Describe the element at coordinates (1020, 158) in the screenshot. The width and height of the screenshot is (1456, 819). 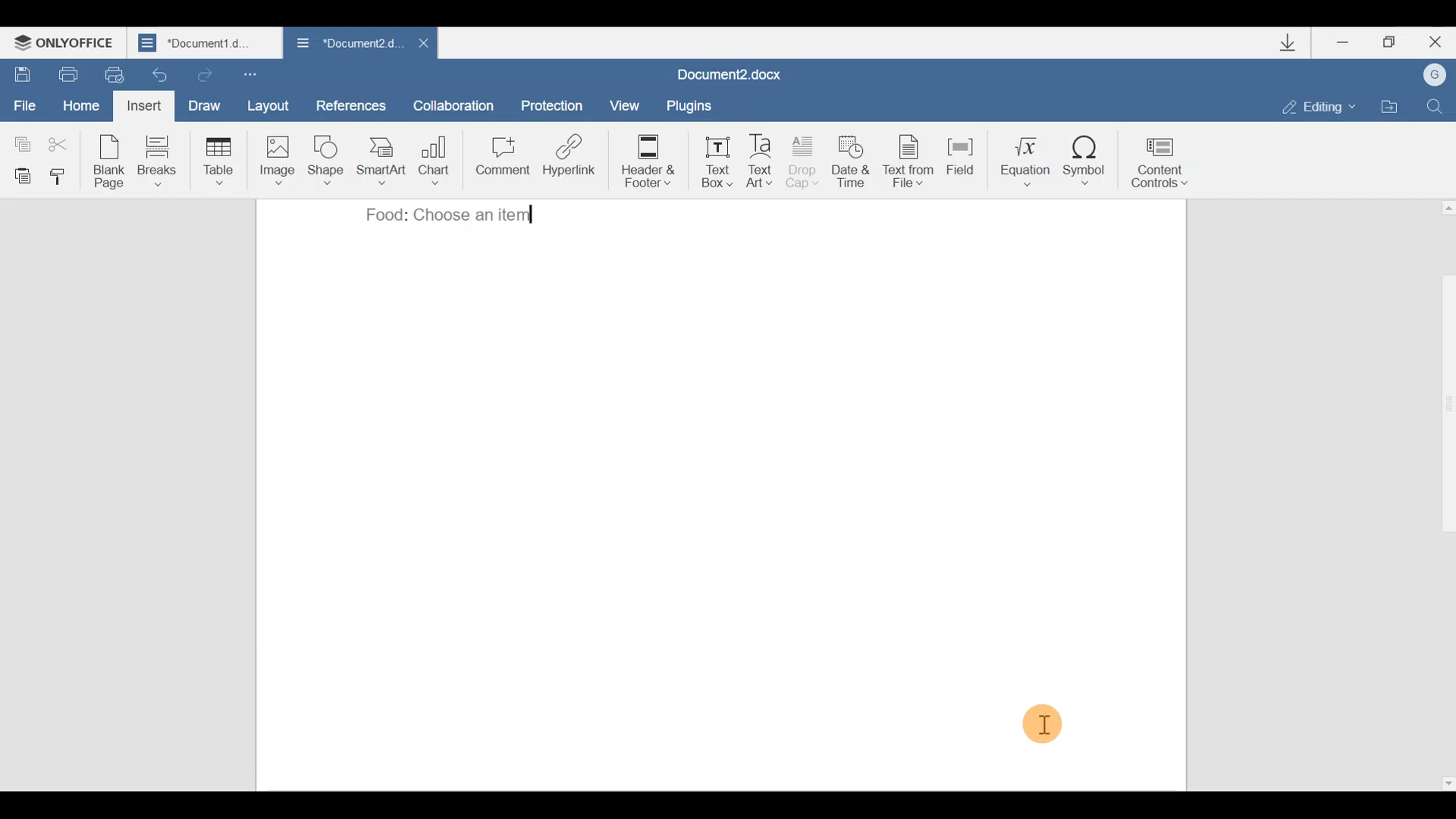
I see `Equation` at that location.